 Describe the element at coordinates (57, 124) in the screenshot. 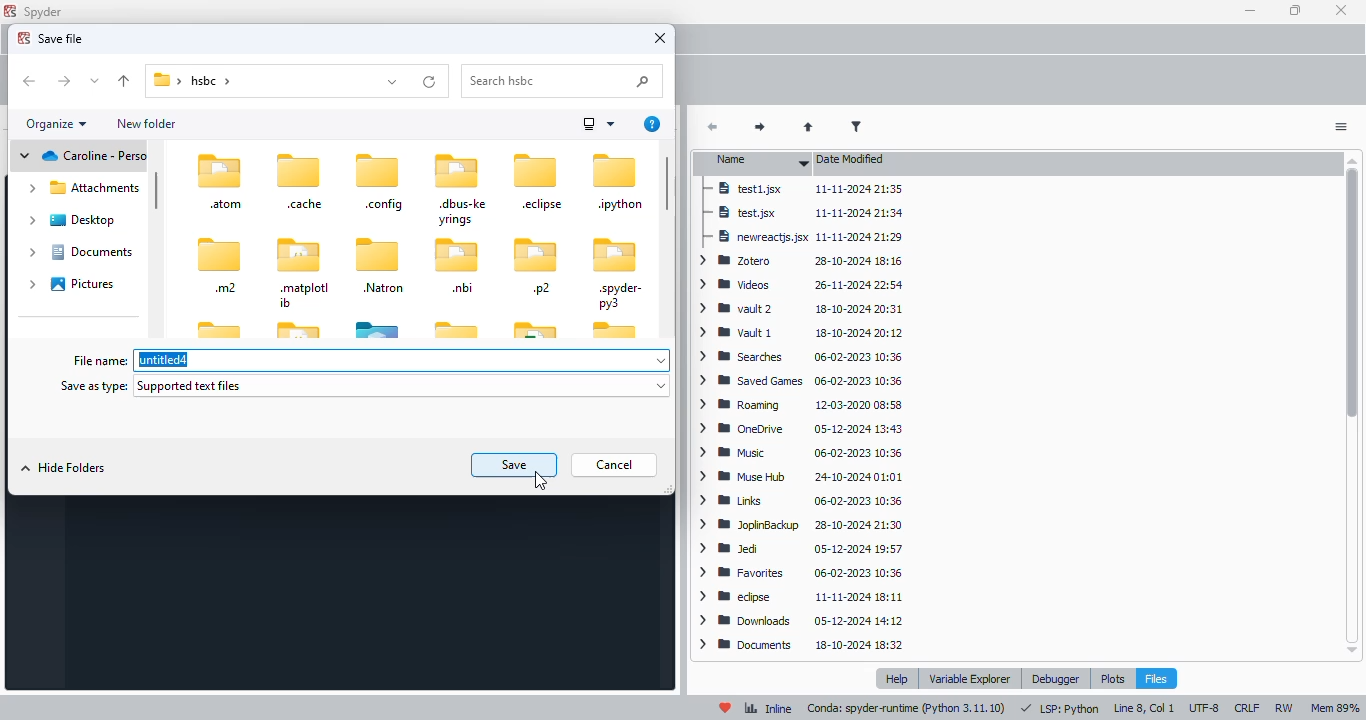

I see `organize` at that location.